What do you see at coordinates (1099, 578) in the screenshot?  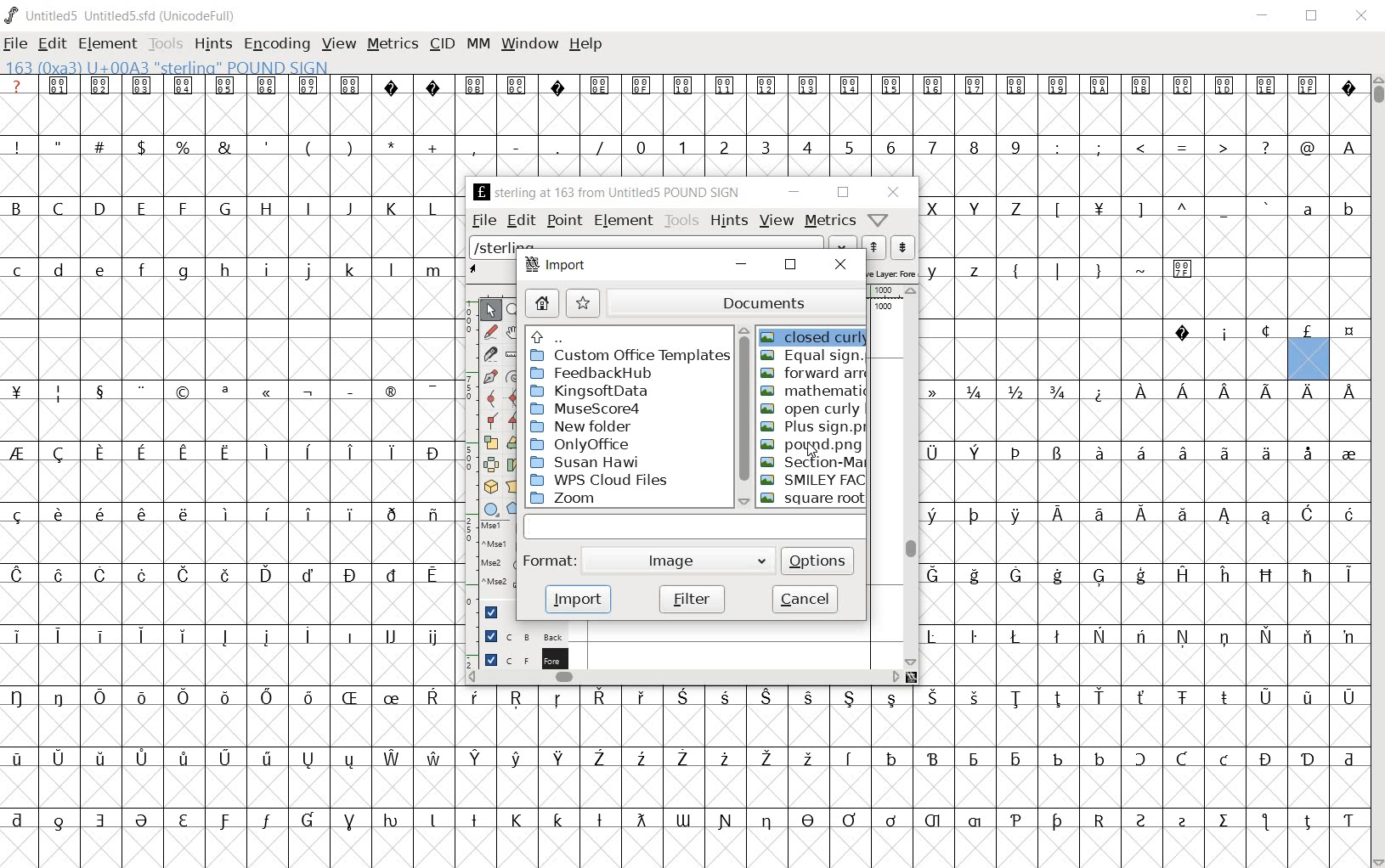 I see `Symbol` at bounding box center [1099, 578].